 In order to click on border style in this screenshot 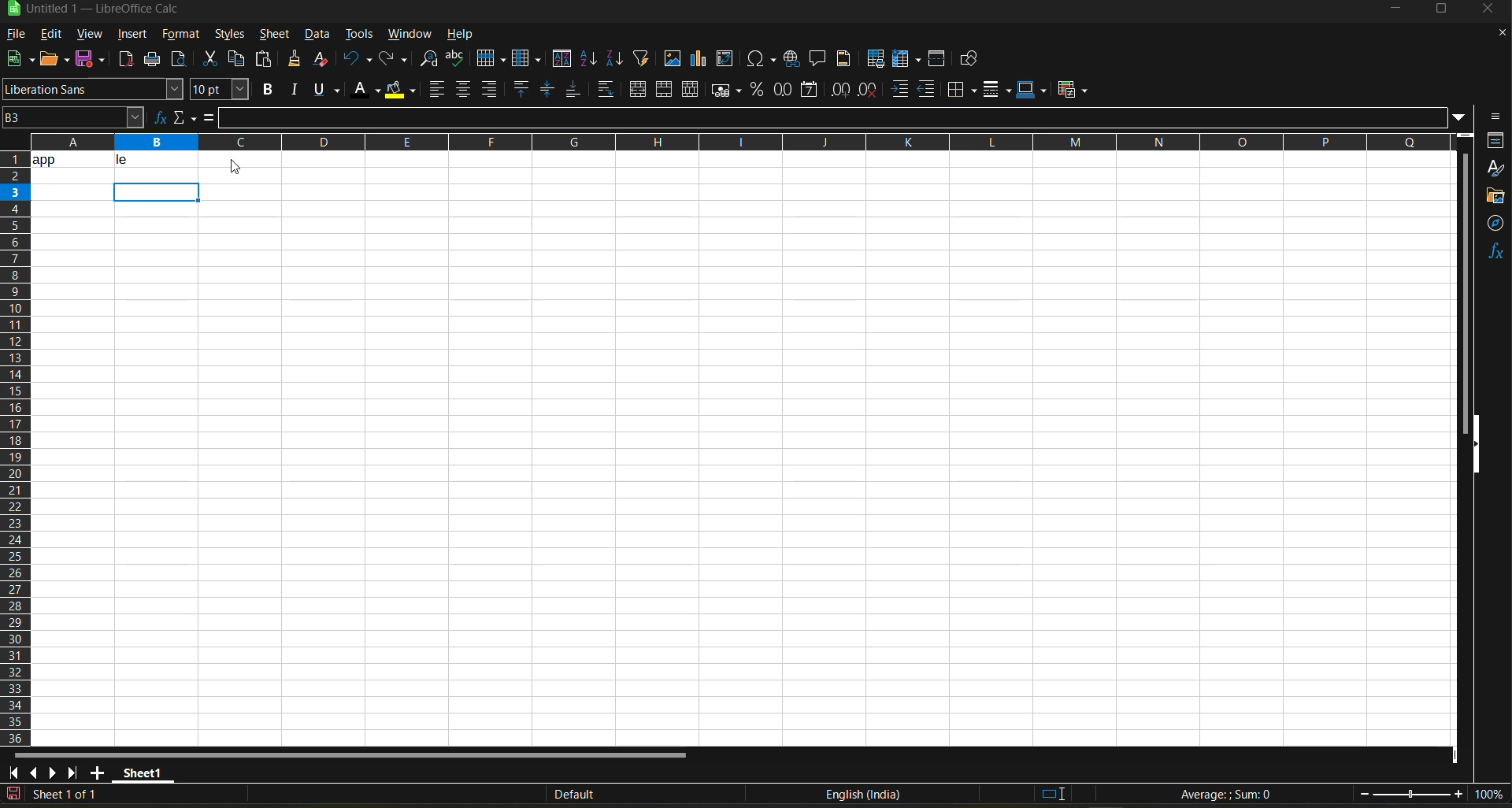, I will do `click(996, 90)`.